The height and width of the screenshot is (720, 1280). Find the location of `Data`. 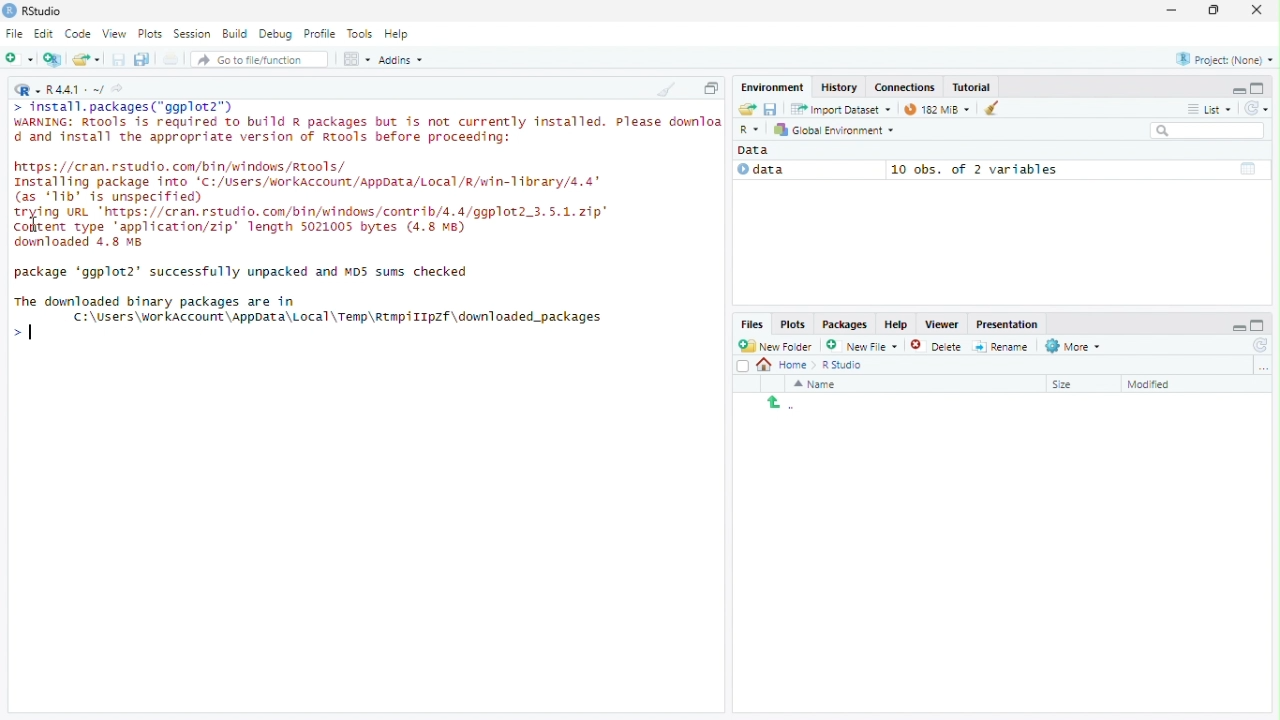

Data is located at coordinates (759, 150).